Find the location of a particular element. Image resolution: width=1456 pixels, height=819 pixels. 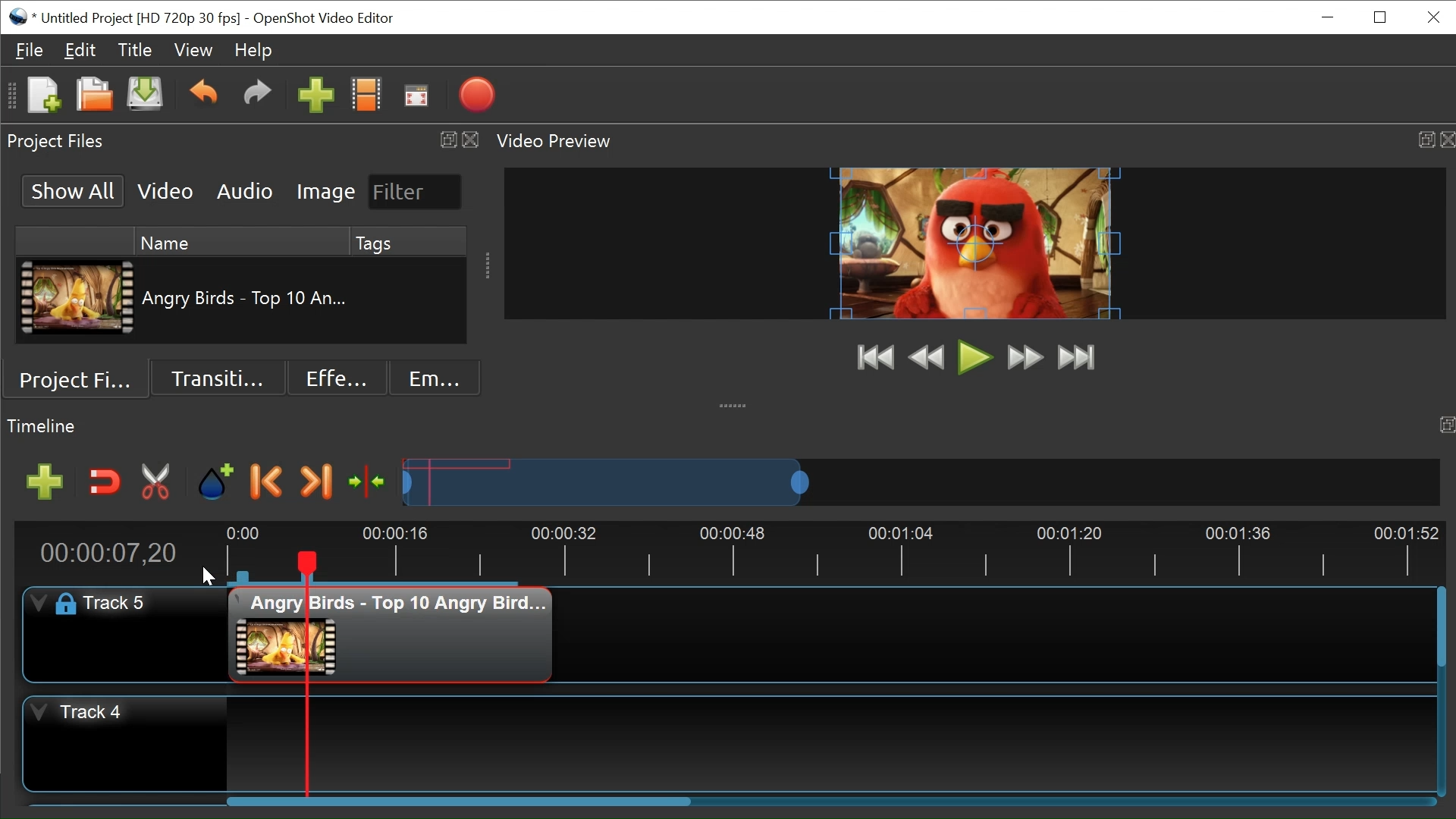

Preview is located at coordinates (927, 357).